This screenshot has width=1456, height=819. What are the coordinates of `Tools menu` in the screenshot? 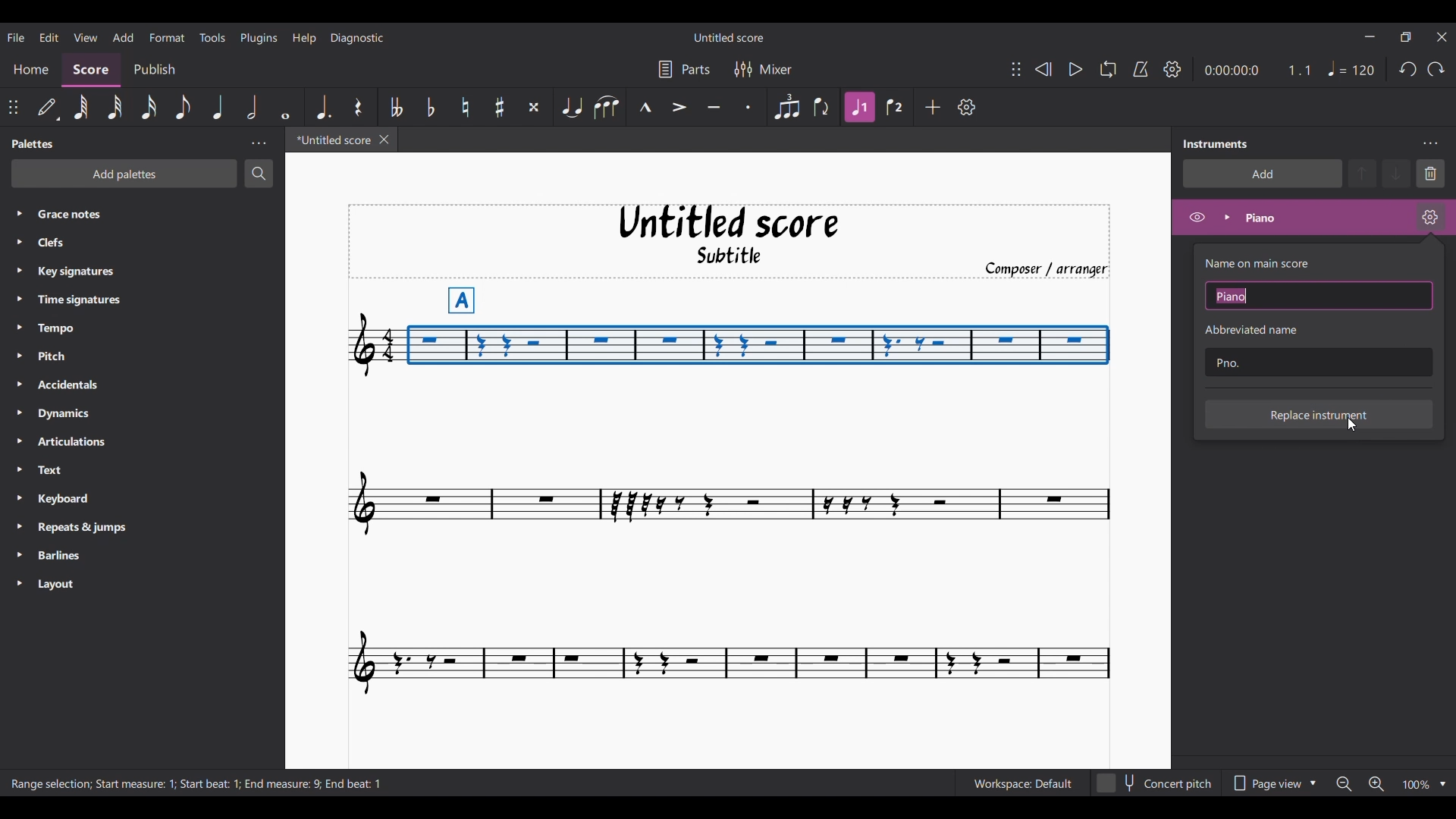 It's located at (212, 38).